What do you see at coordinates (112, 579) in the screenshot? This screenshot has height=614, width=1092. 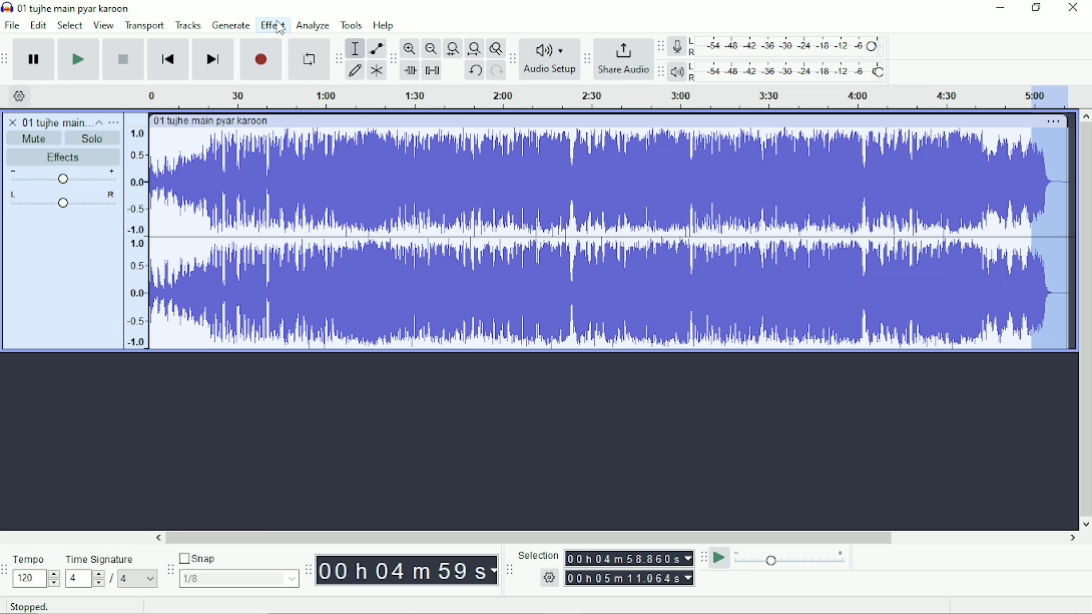 I see `/` at bounding box center [112, 579].